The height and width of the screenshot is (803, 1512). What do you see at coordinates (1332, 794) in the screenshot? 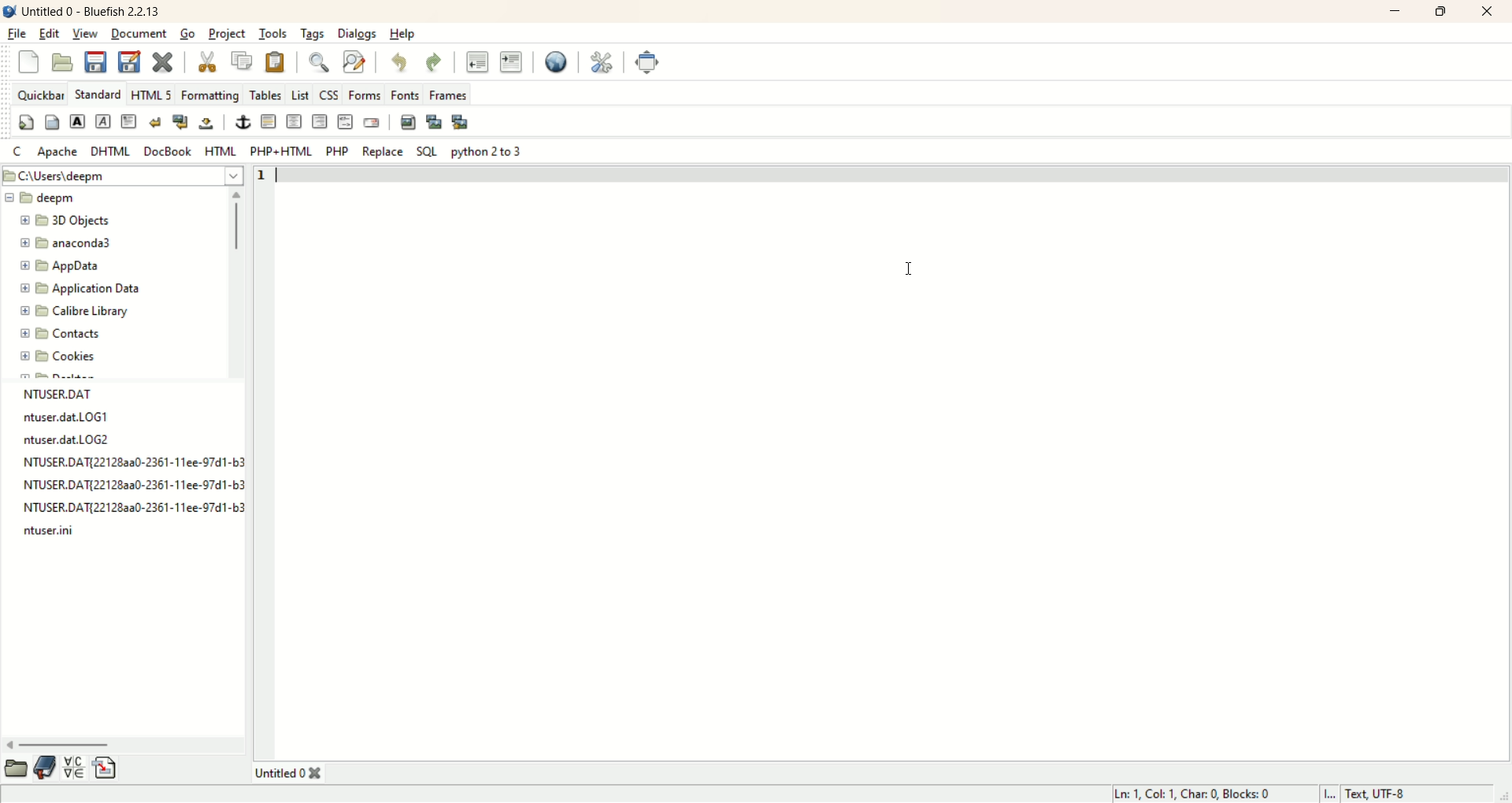
I see `I` at bounding box center [1332, 794].